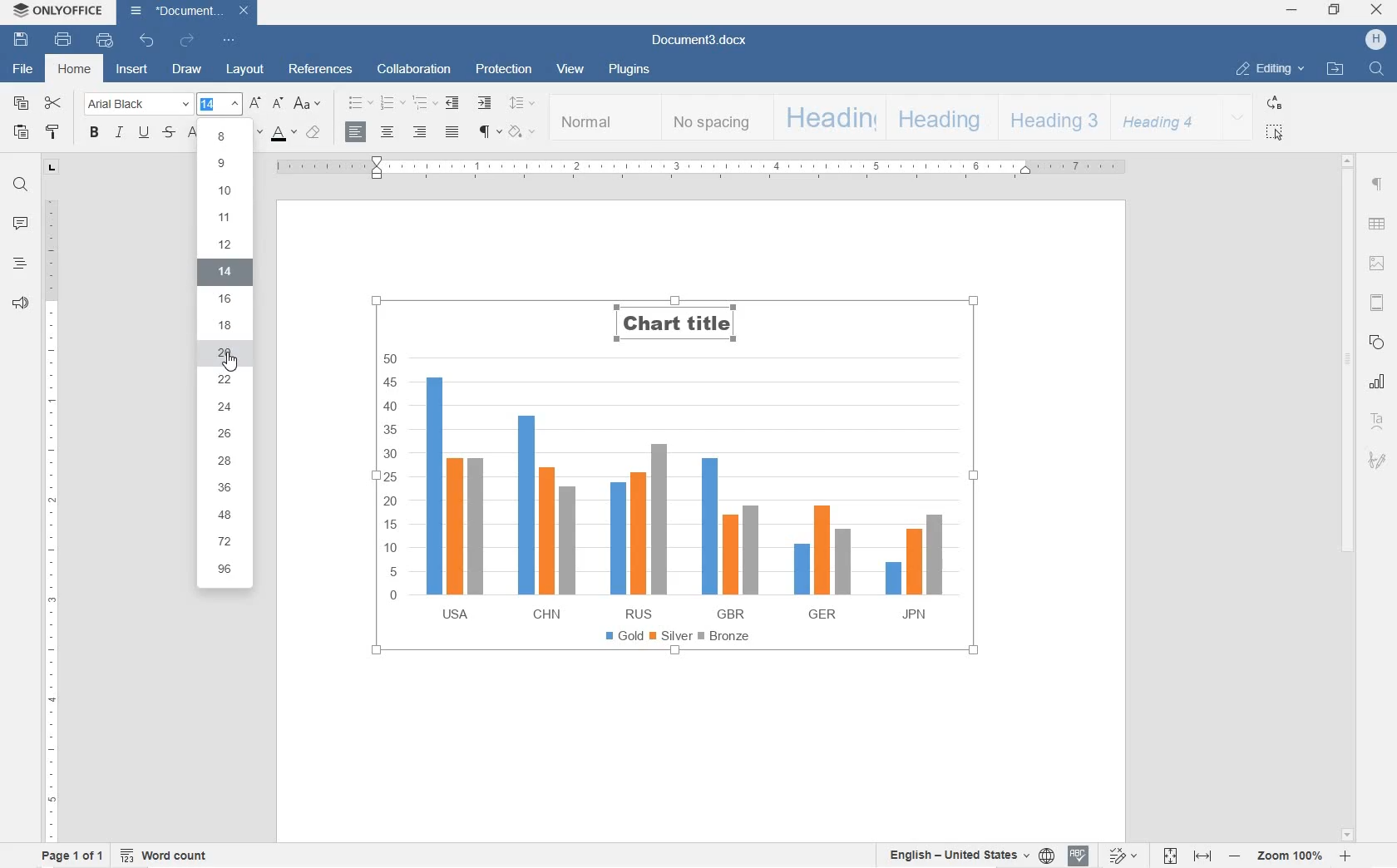  I want to click on UNDO, so click(144, 42).